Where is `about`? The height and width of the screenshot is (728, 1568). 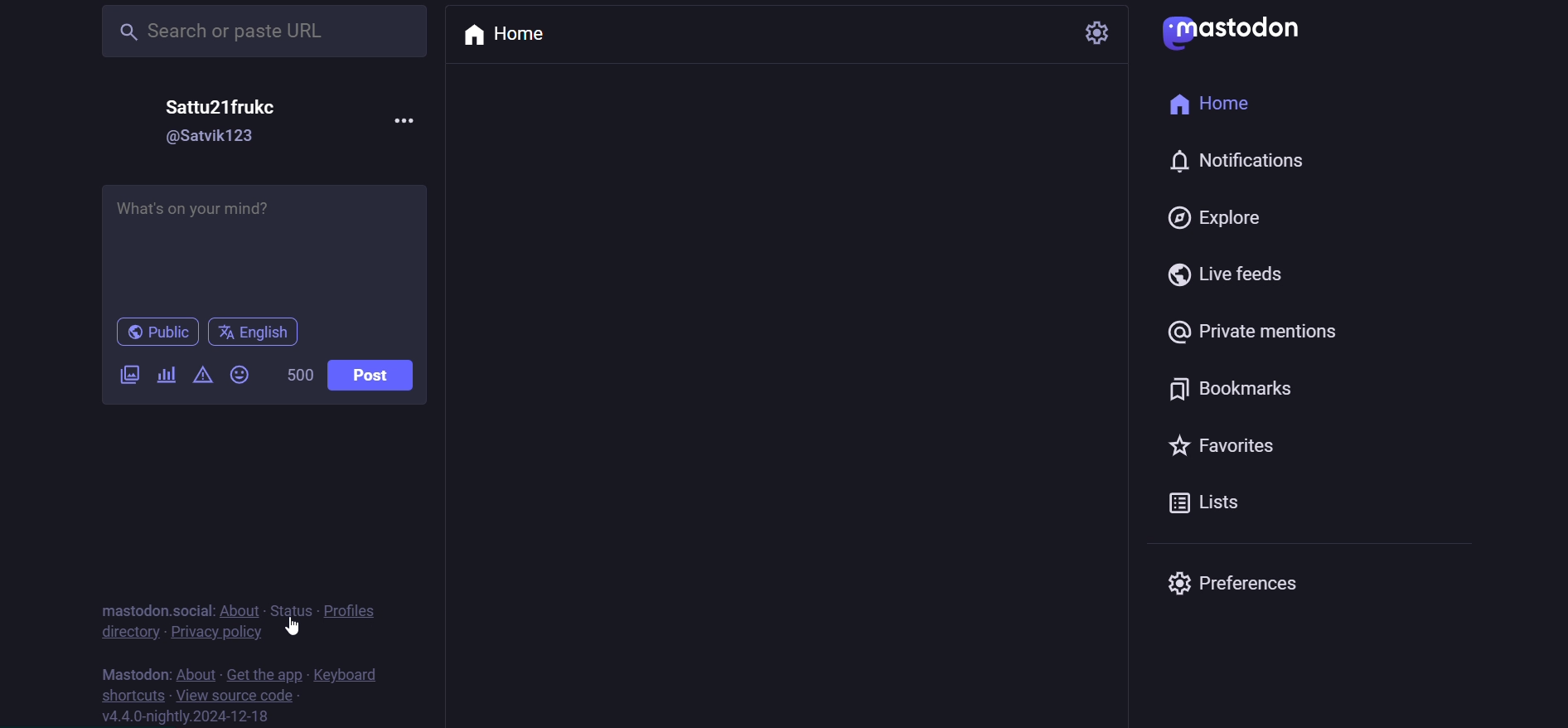
about is located at coordinates (243, 608).